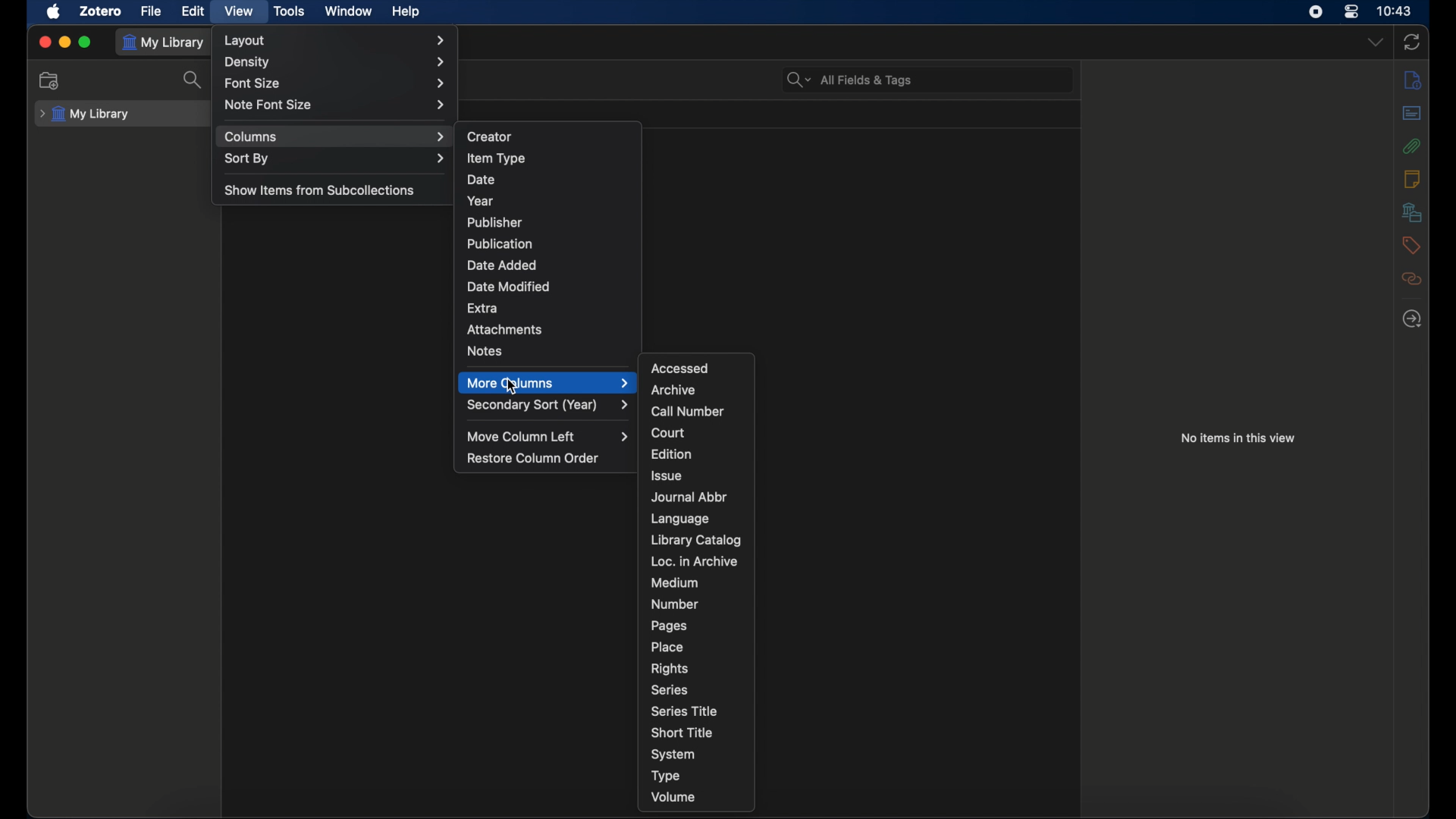  Describe the element at coordinates (670, 690) in the screenshot. I see `series` at that location.